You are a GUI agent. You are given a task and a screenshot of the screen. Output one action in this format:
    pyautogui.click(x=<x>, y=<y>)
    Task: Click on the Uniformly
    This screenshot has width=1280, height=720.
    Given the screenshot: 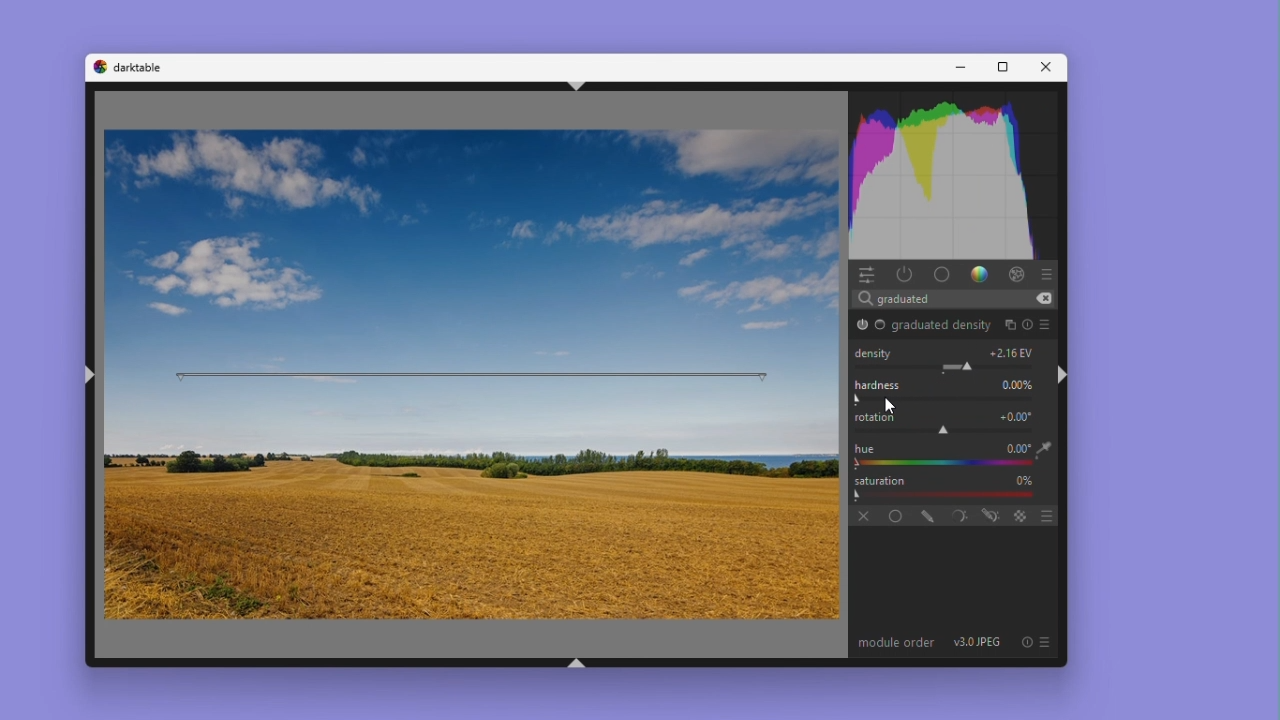 What is the action you would take?
    pyautogui.click(x=895, y=516)
    